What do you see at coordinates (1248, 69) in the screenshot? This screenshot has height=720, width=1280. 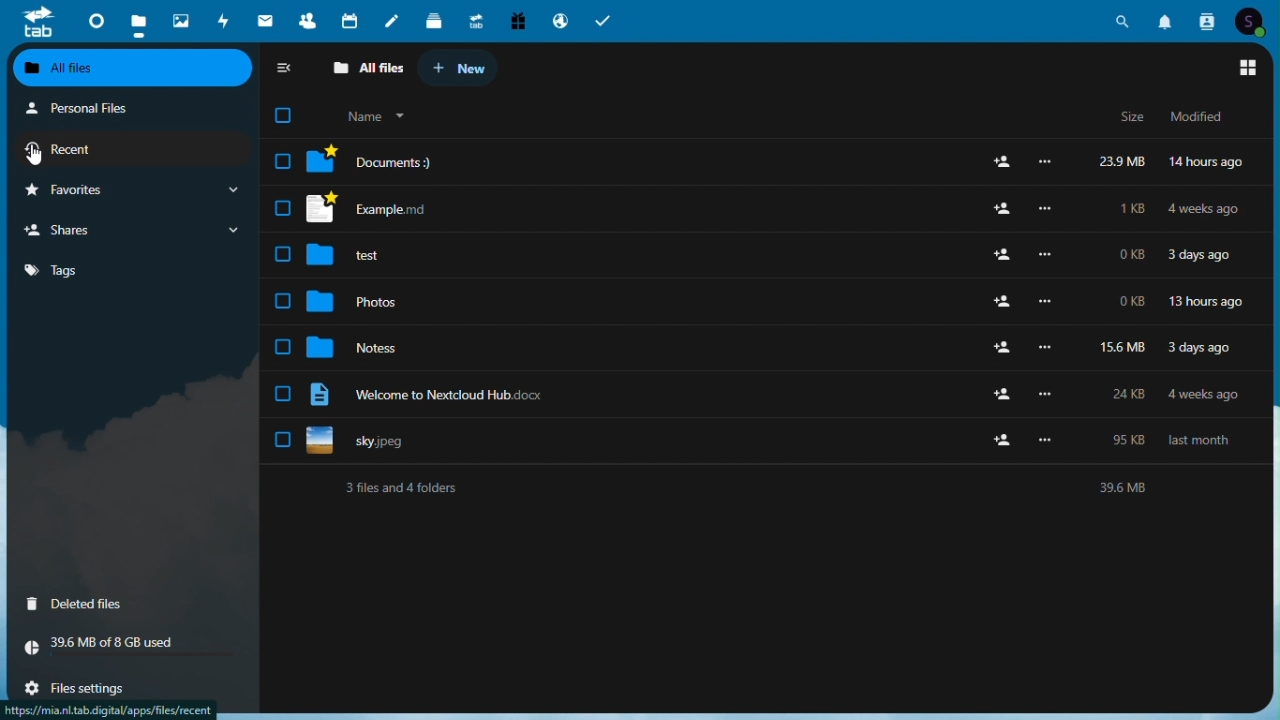 I see `switch to grid view` at bounding box center [1248, 69].